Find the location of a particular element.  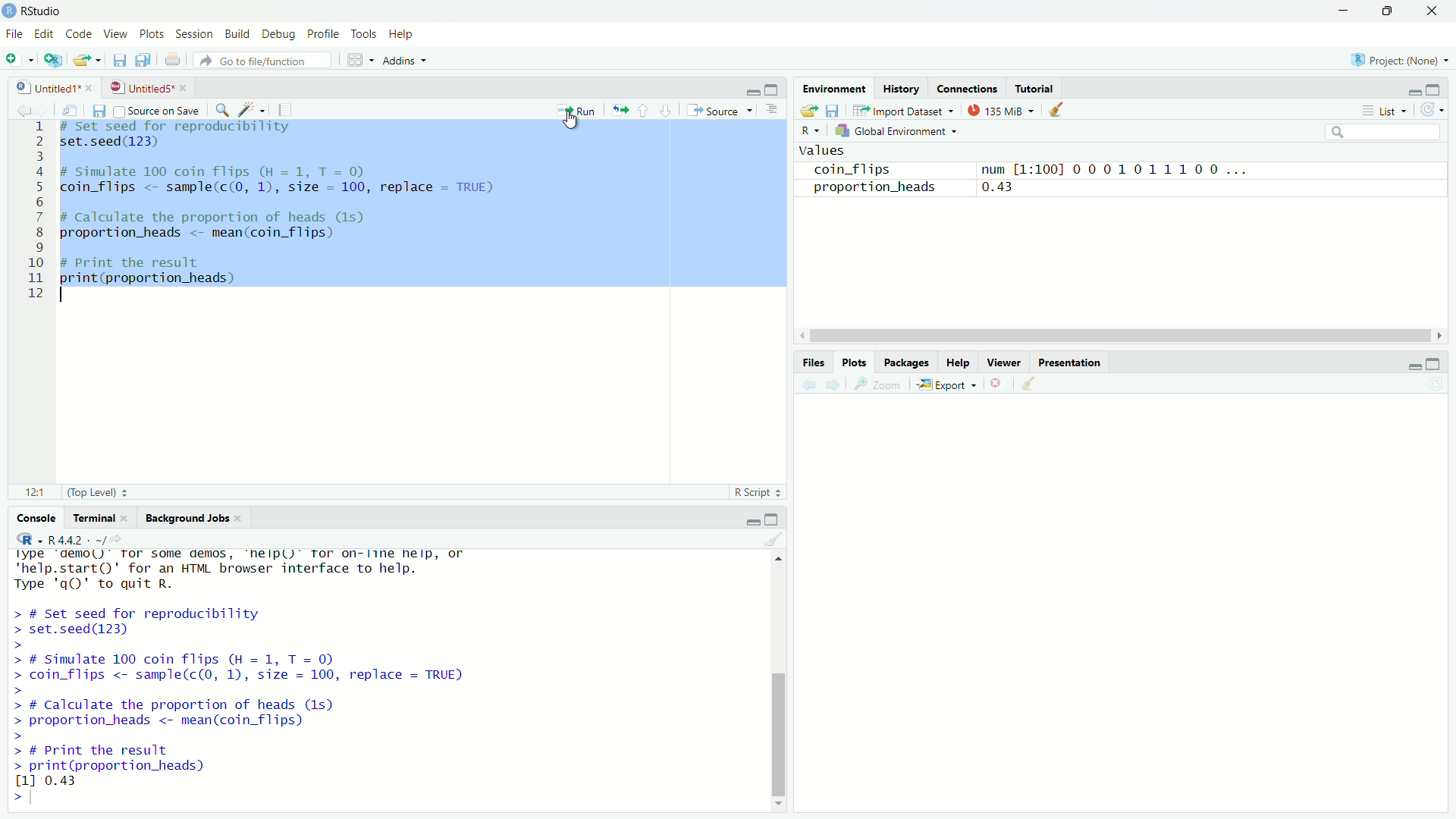

(Top level) is located at coordinates (98, 492).